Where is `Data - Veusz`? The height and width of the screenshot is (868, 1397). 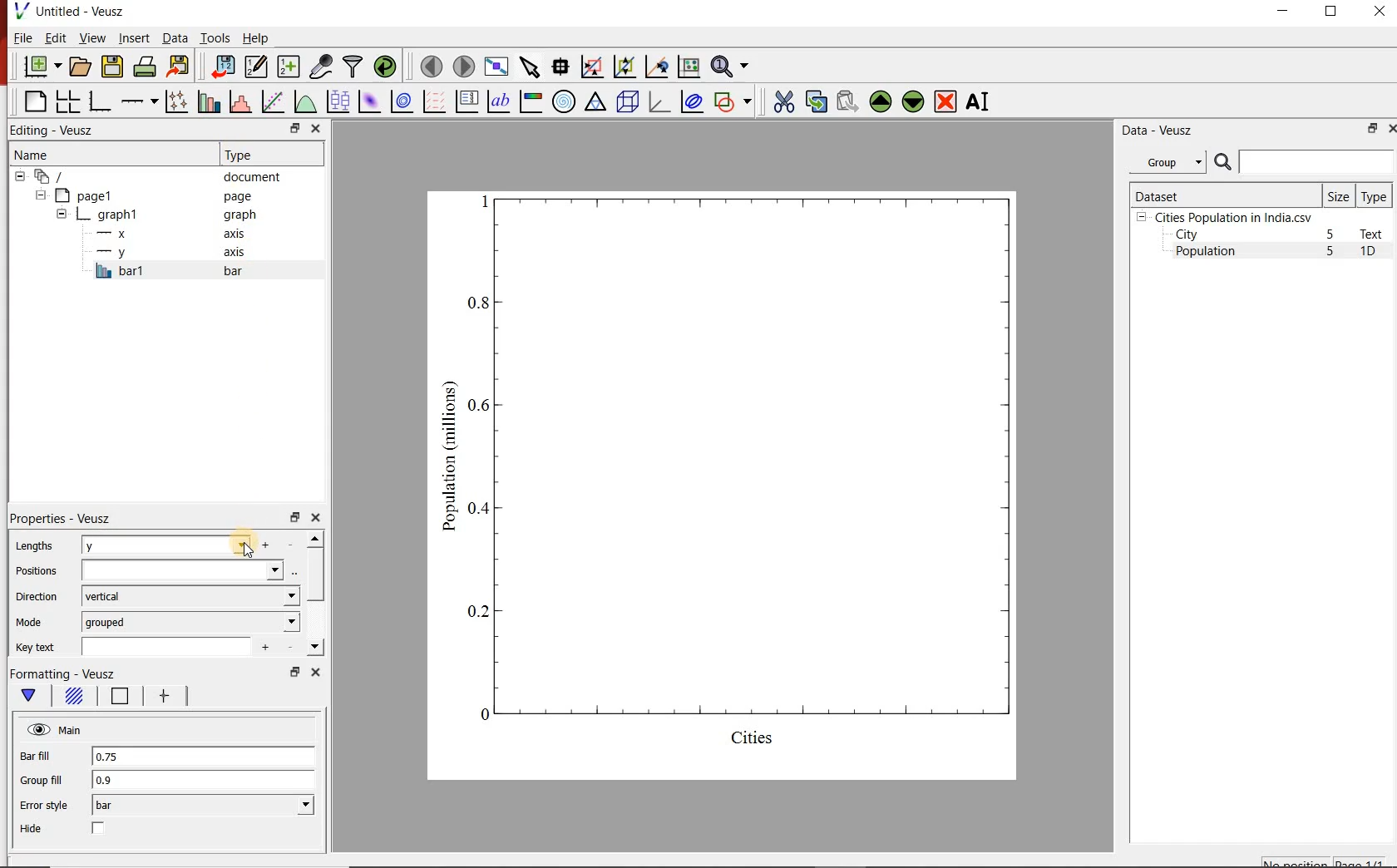 Data - Veusz is located at coordinates (1154, 130).